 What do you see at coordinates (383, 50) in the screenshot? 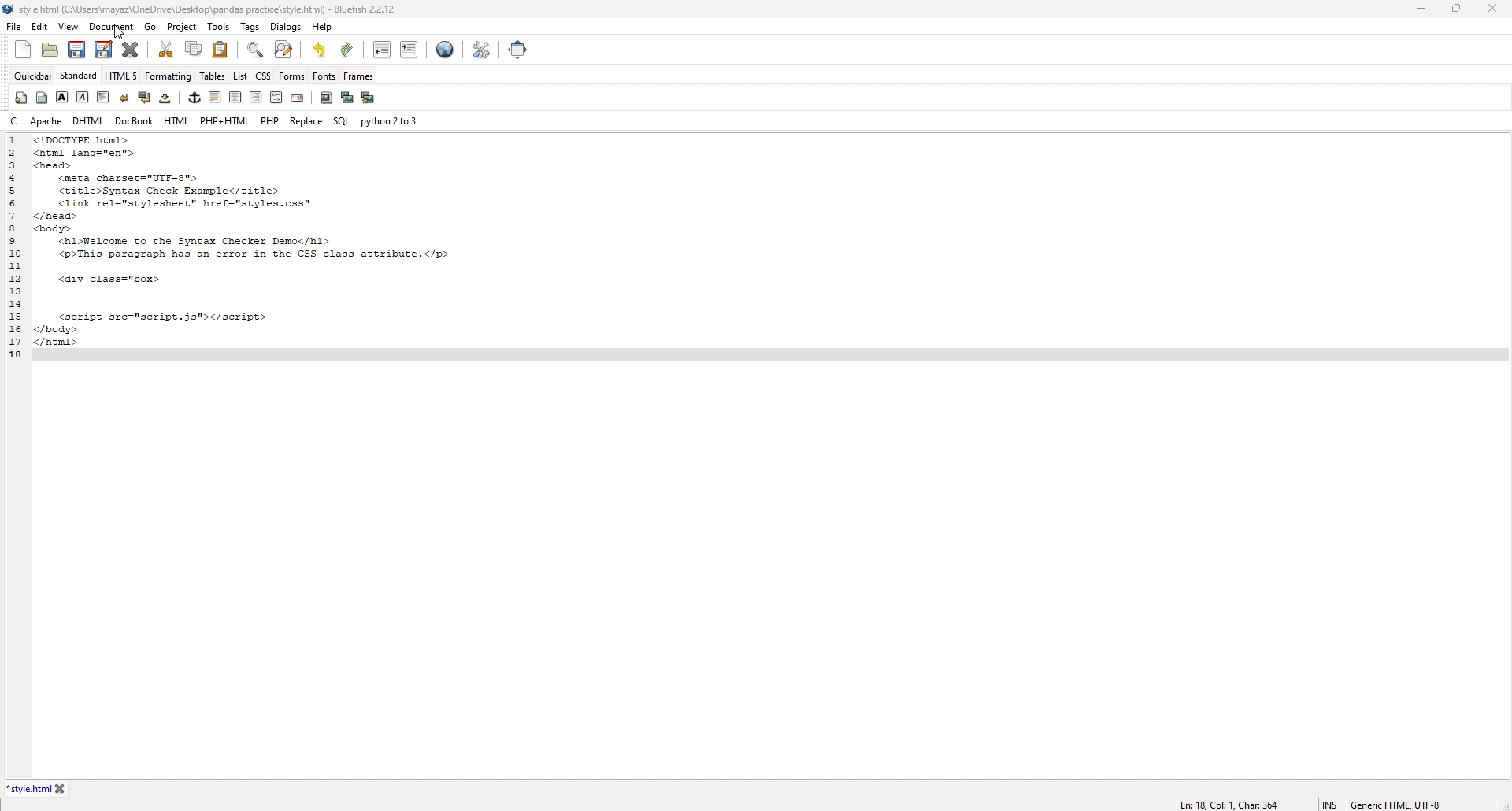
I see `unindent` at bounding box center [383, 50].